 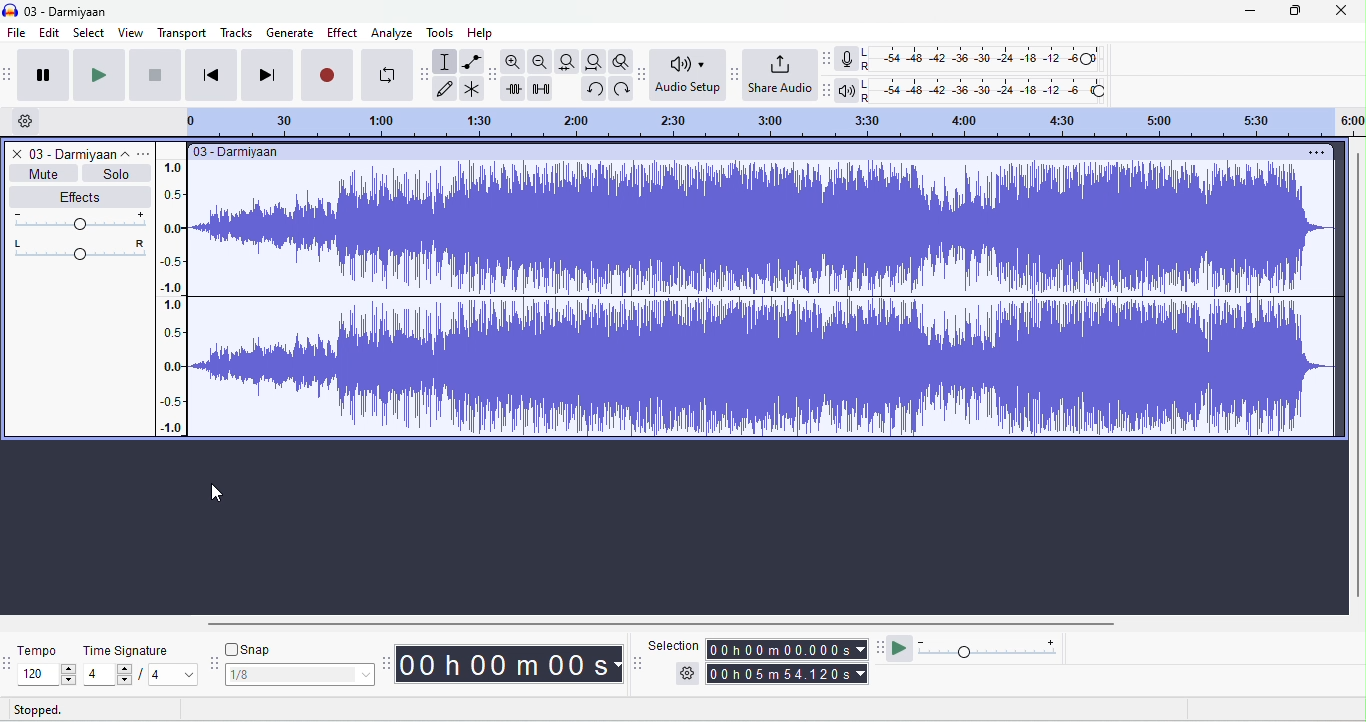 I want to click on effects, so click(x=76, y=197).